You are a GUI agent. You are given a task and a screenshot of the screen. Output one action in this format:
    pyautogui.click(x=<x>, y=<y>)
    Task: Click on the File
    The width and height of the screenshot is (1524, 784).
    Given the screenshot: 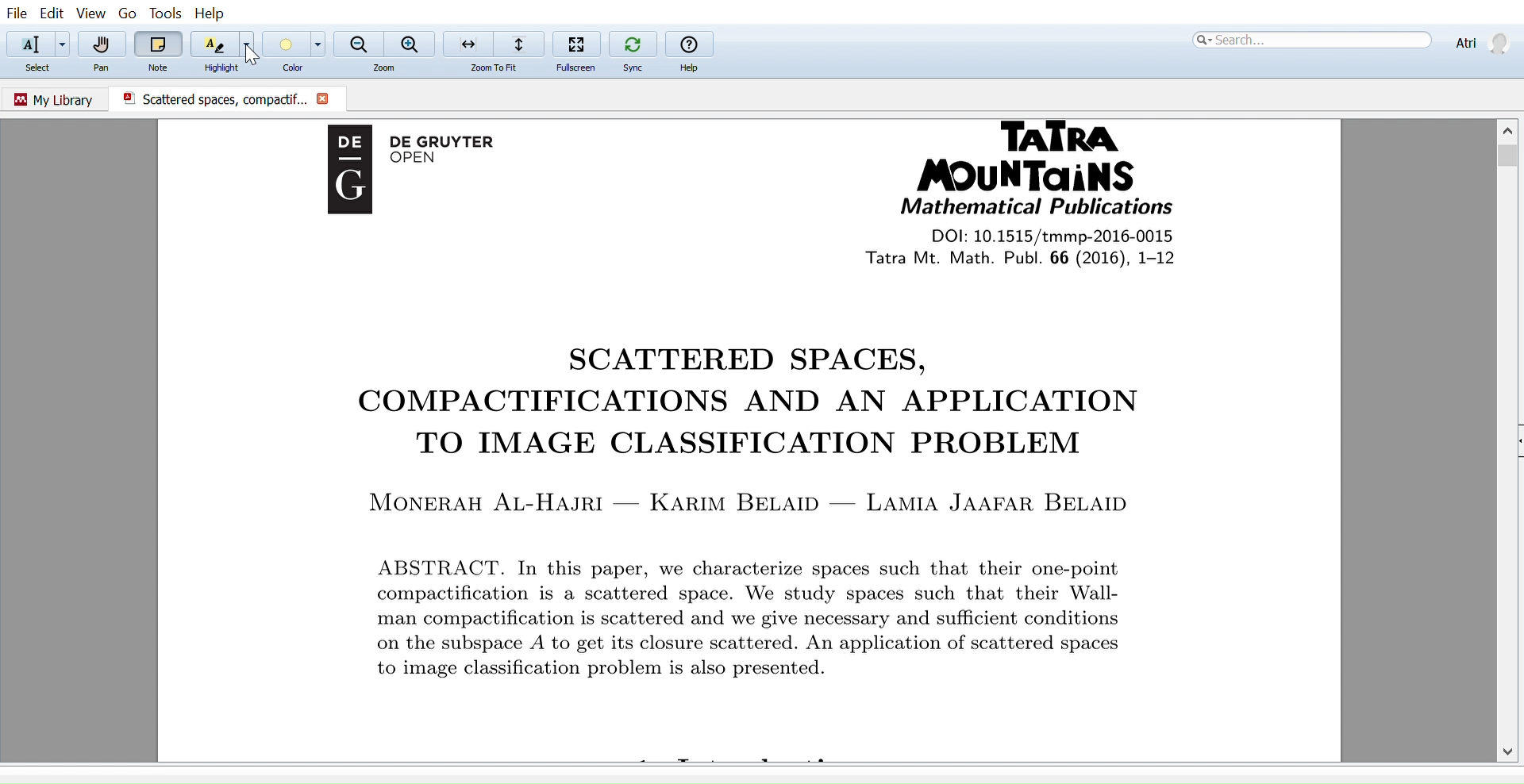 What is the action you would take?
    pyautogui.click(x=17, y=13)
    